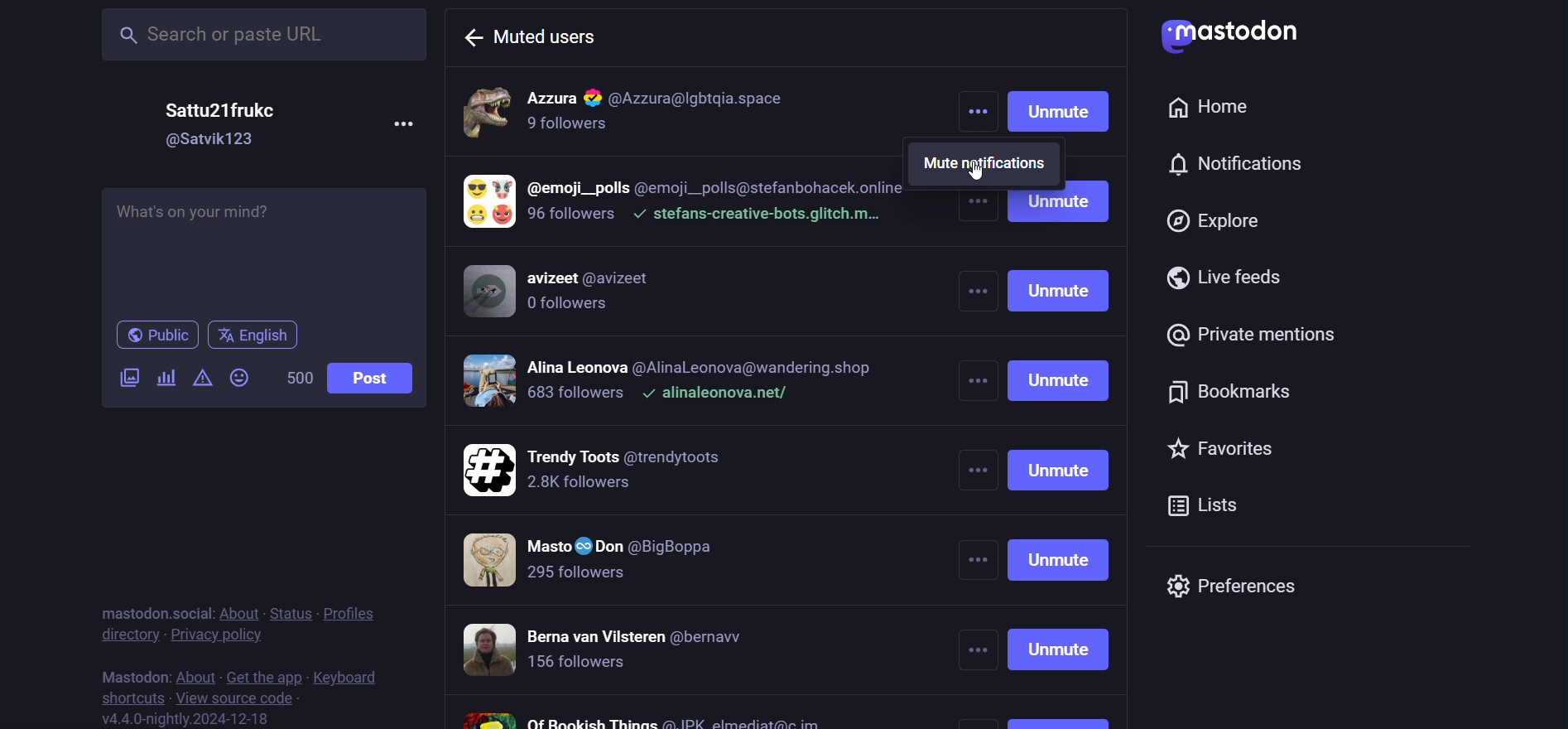  What do you see at coordinates (290, 613) in the screenshot?
I see `status` at bounding box center [290, 613].